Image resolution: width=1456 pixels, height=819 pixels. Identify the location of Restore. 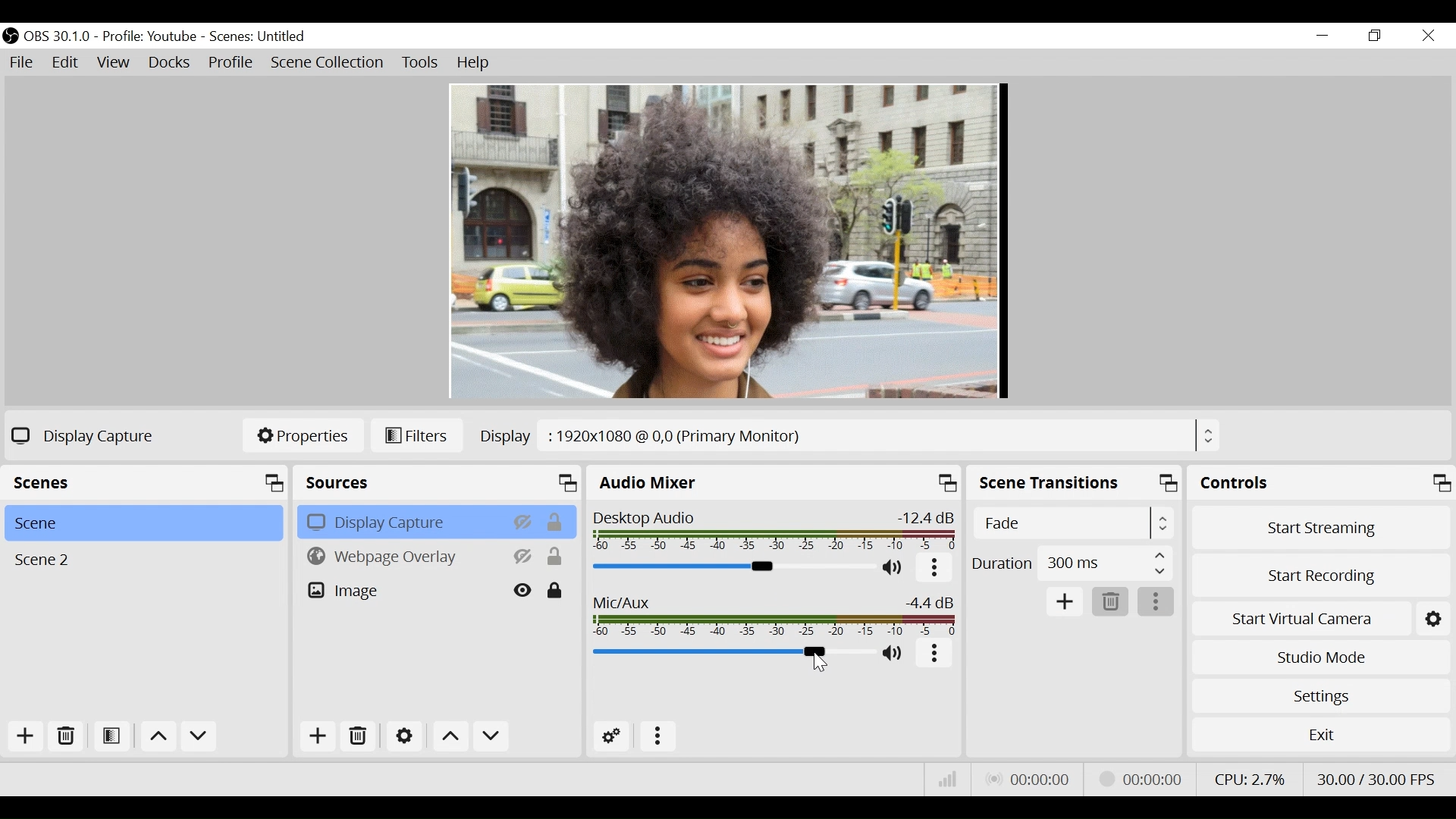
(1373, 35).